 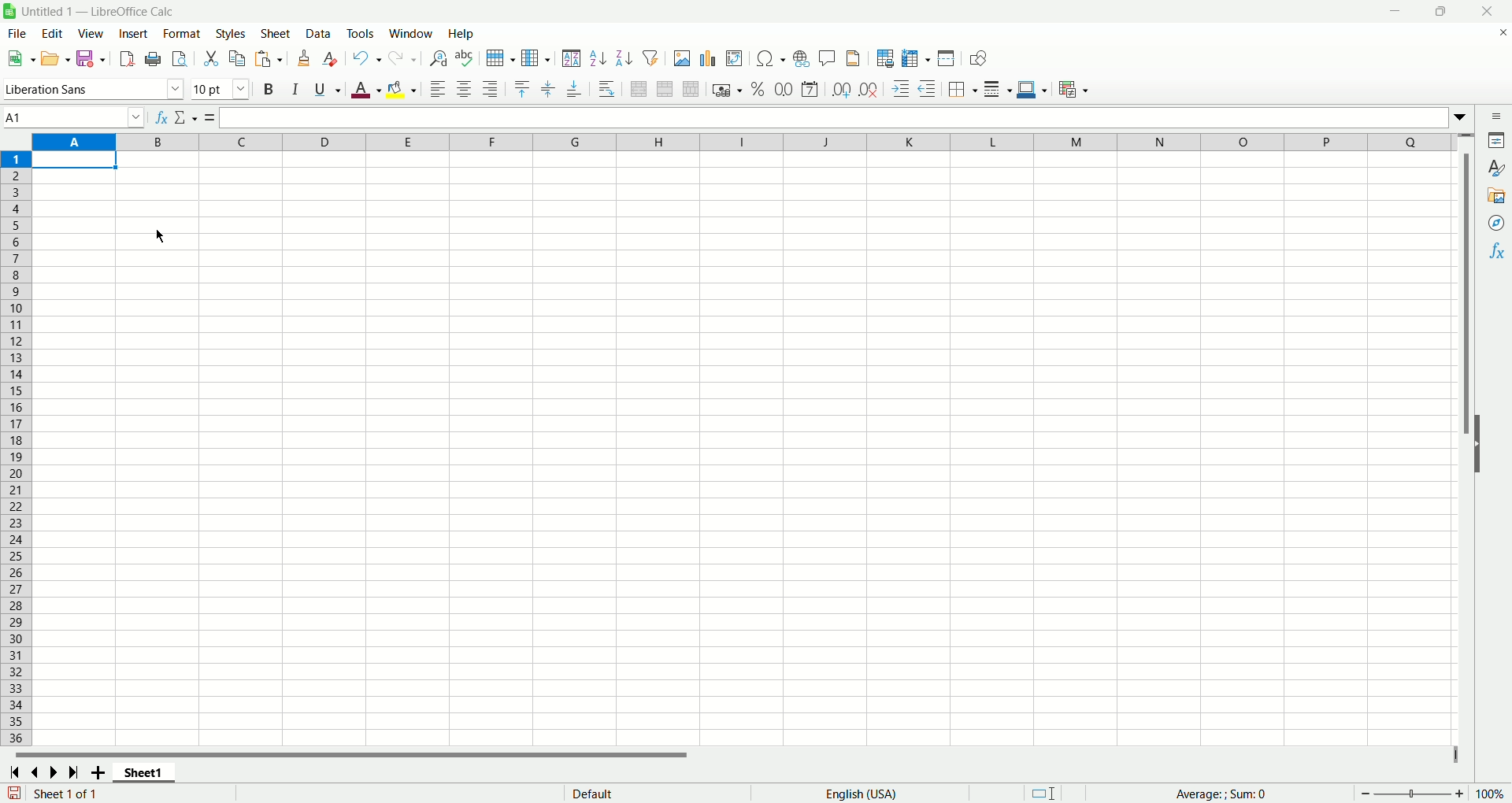 What do you see at coordinates (772, 58) in the screenshot?
I see `insert special character` at bounding box center [772, 58].